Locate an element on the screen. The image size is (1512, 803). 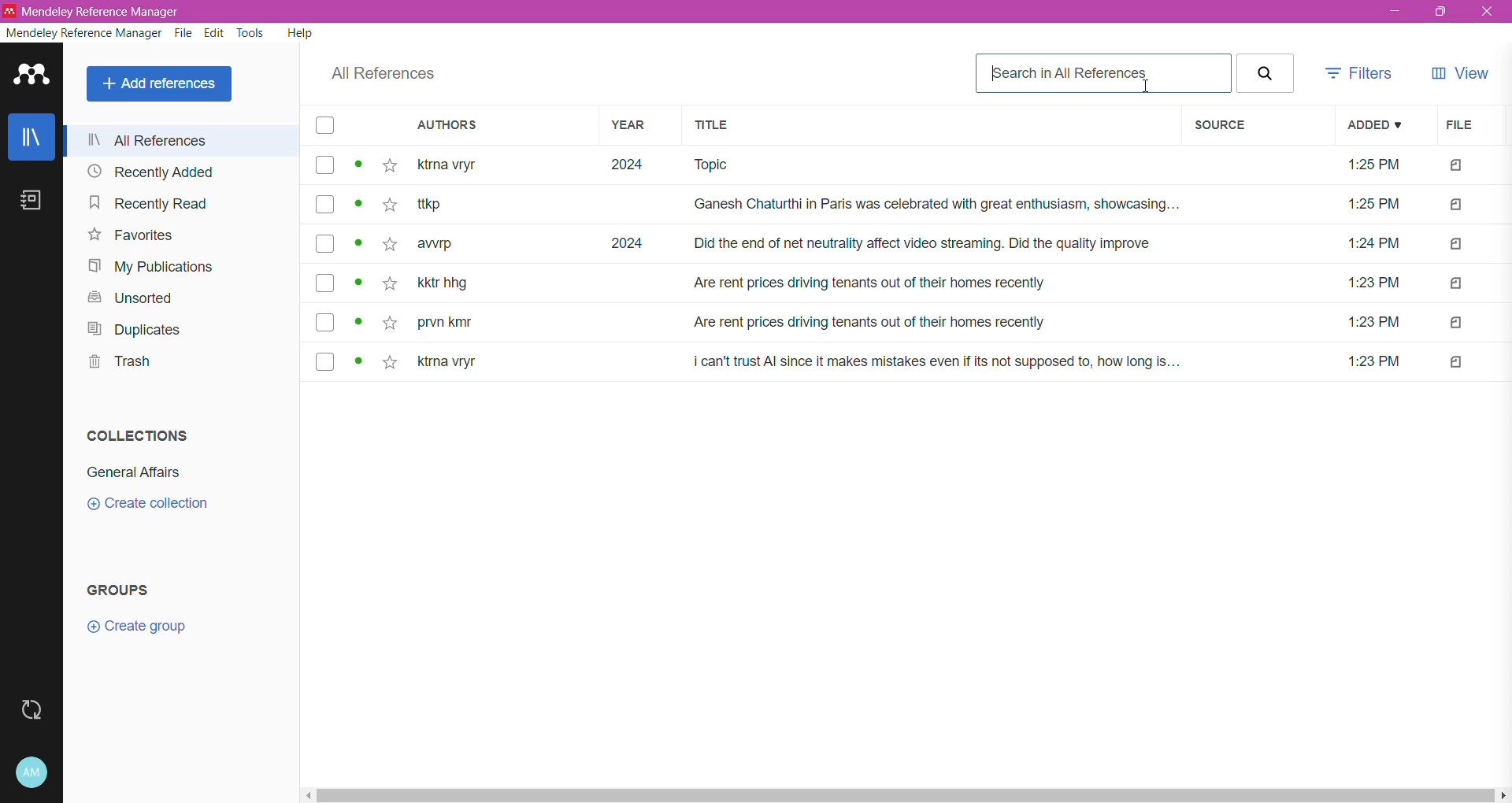
view status of the file is located at coordinates (359, 285).